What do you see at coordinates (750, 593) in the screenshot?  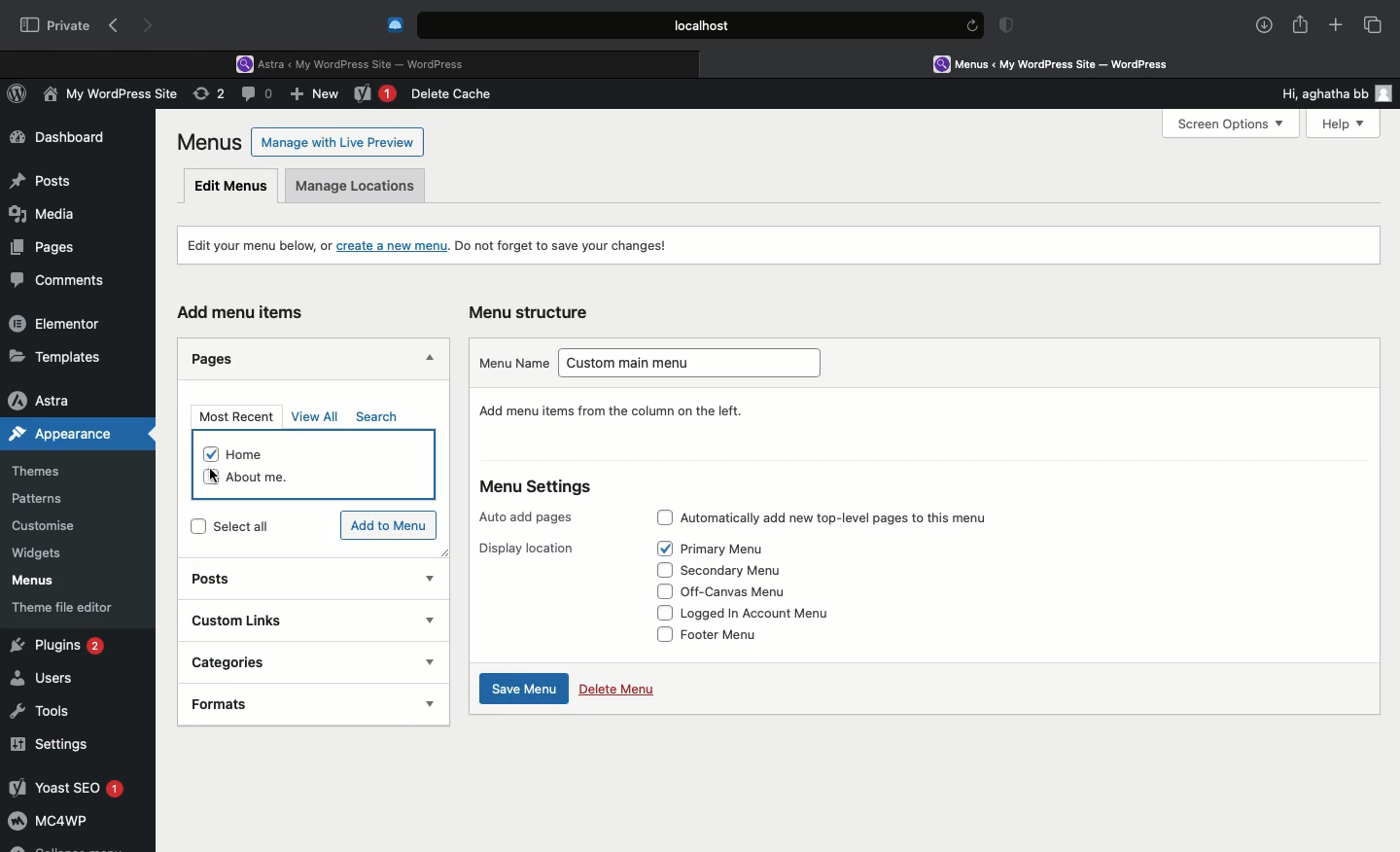 I see `Off-canvas menu` at bounding box center [750, 593].